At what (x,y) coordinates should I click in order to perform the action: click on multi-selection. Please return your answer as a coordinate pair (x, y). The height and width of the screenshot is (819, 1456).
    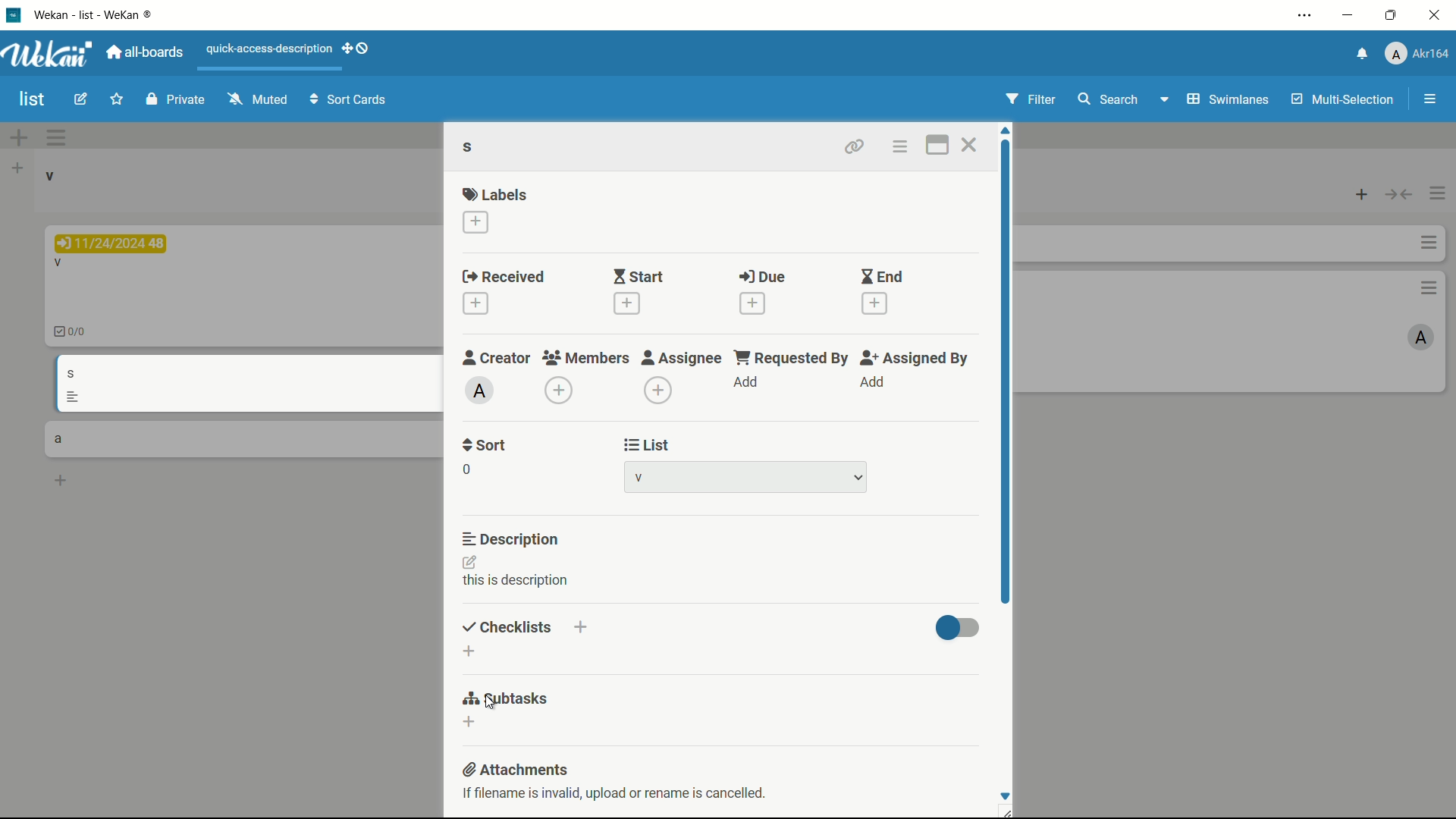
    Looking at the image, I should click on (1343, 100).